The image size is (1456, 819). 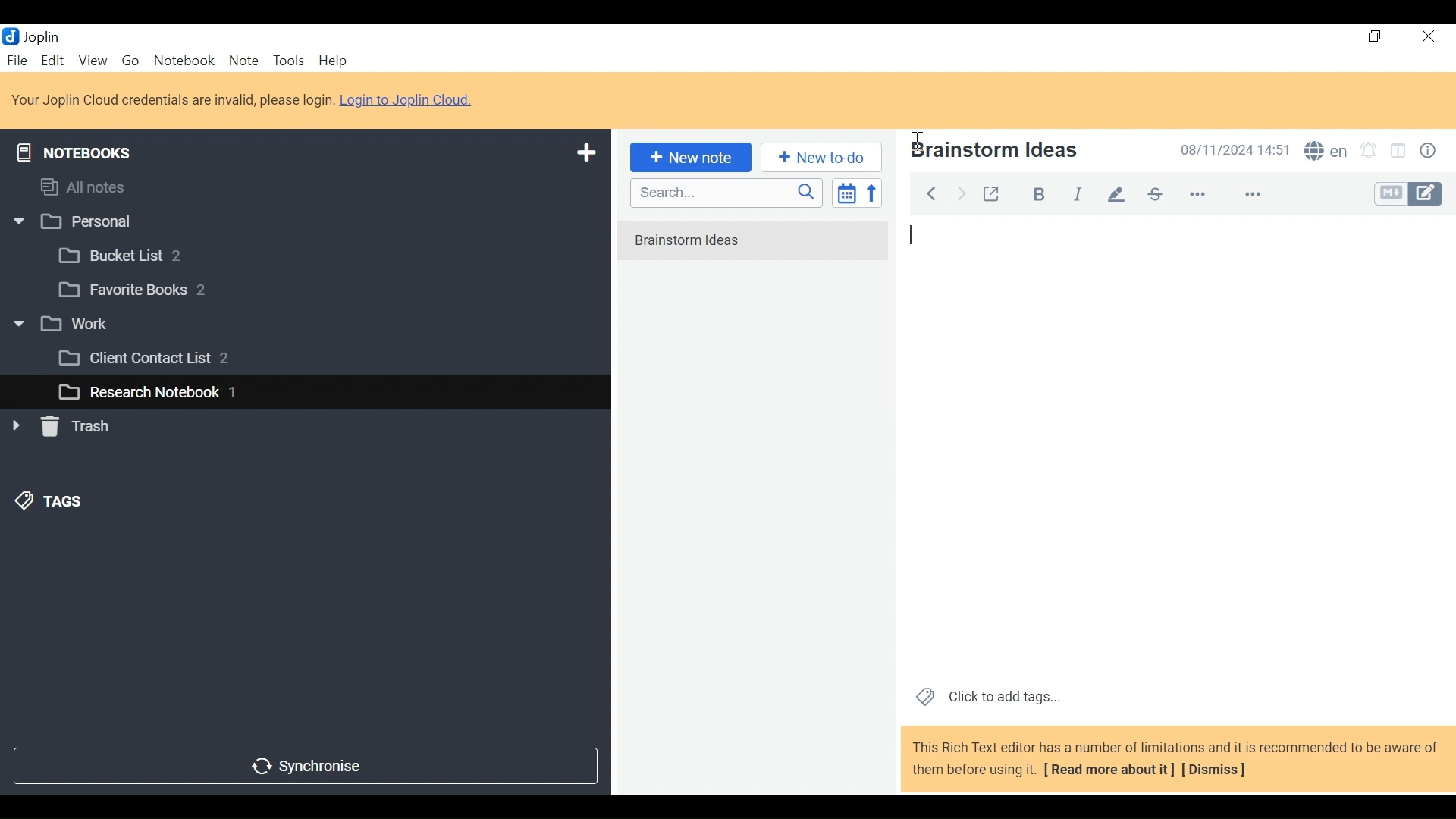 I want to click on No notes in here. Create one by clicking
on "New note"., so click(x=757, y=250).